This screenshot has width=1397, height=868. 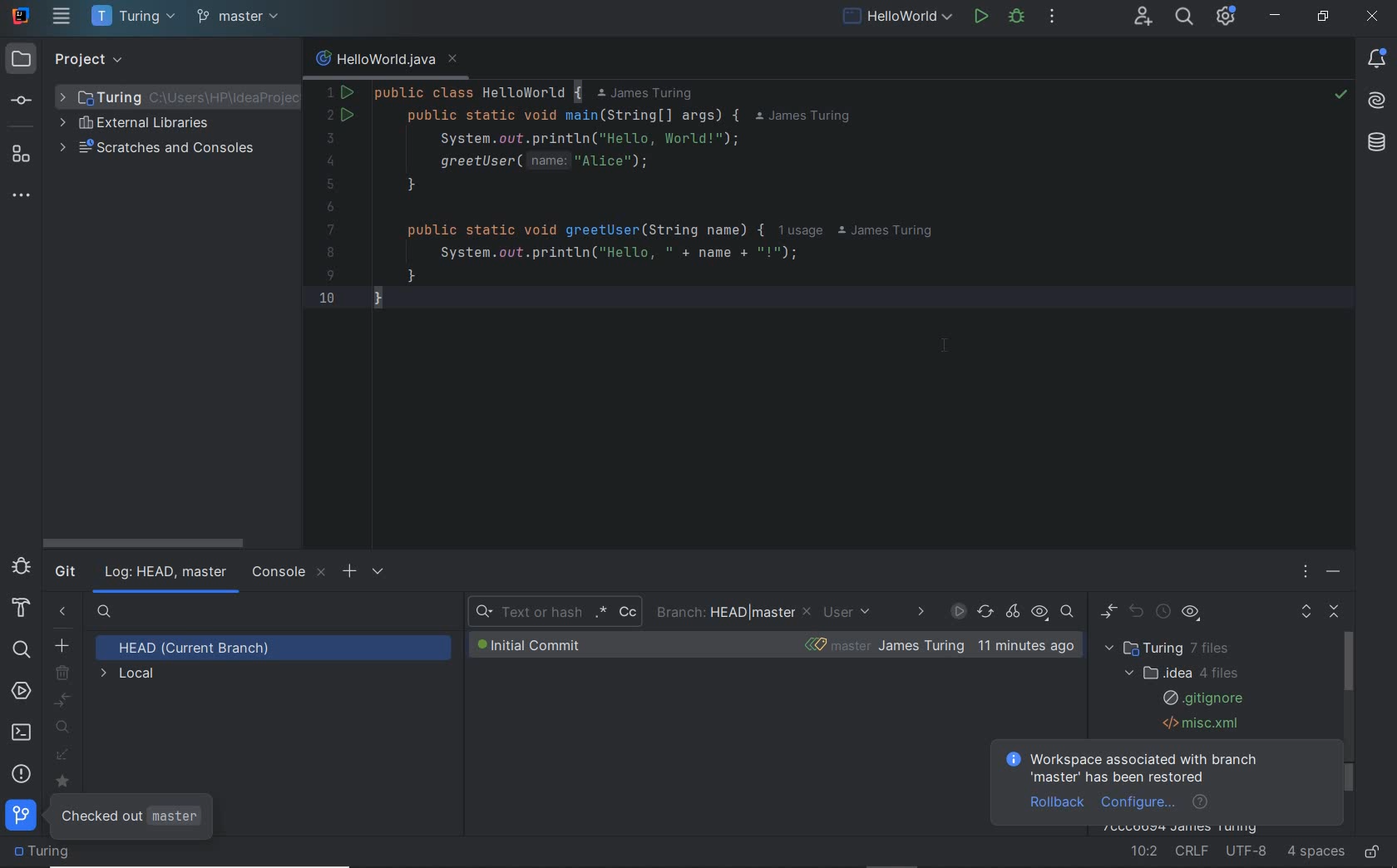 I want to click on notifications, so click(x=1378, y=60).